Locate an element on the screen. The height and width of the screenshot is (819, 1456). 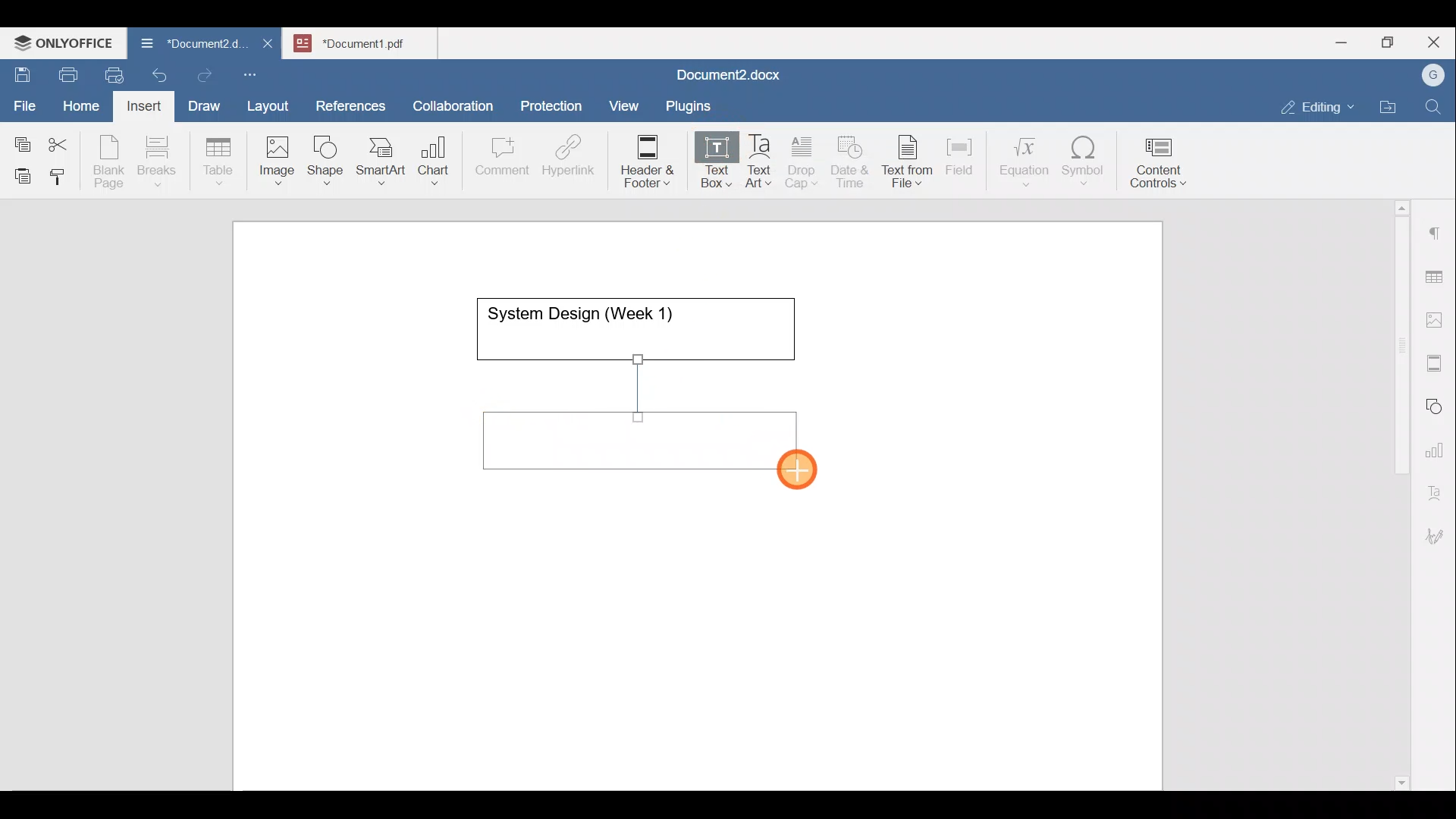
Copy style is located at coordinates (63, 173).